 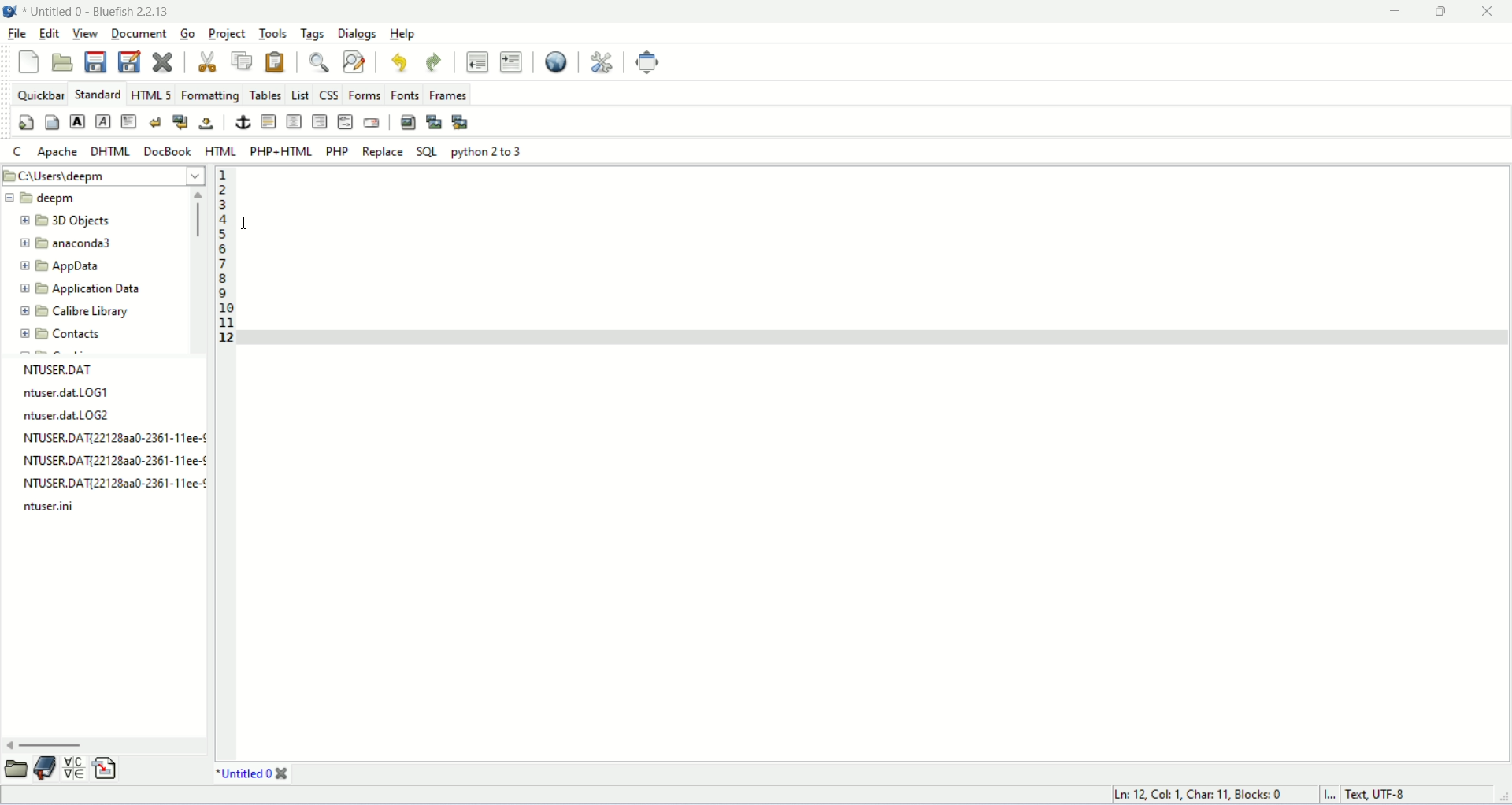 What do you see at coordinates (434, 61) in the screenshot?
I see `redo` at bounding box center [434, 61].